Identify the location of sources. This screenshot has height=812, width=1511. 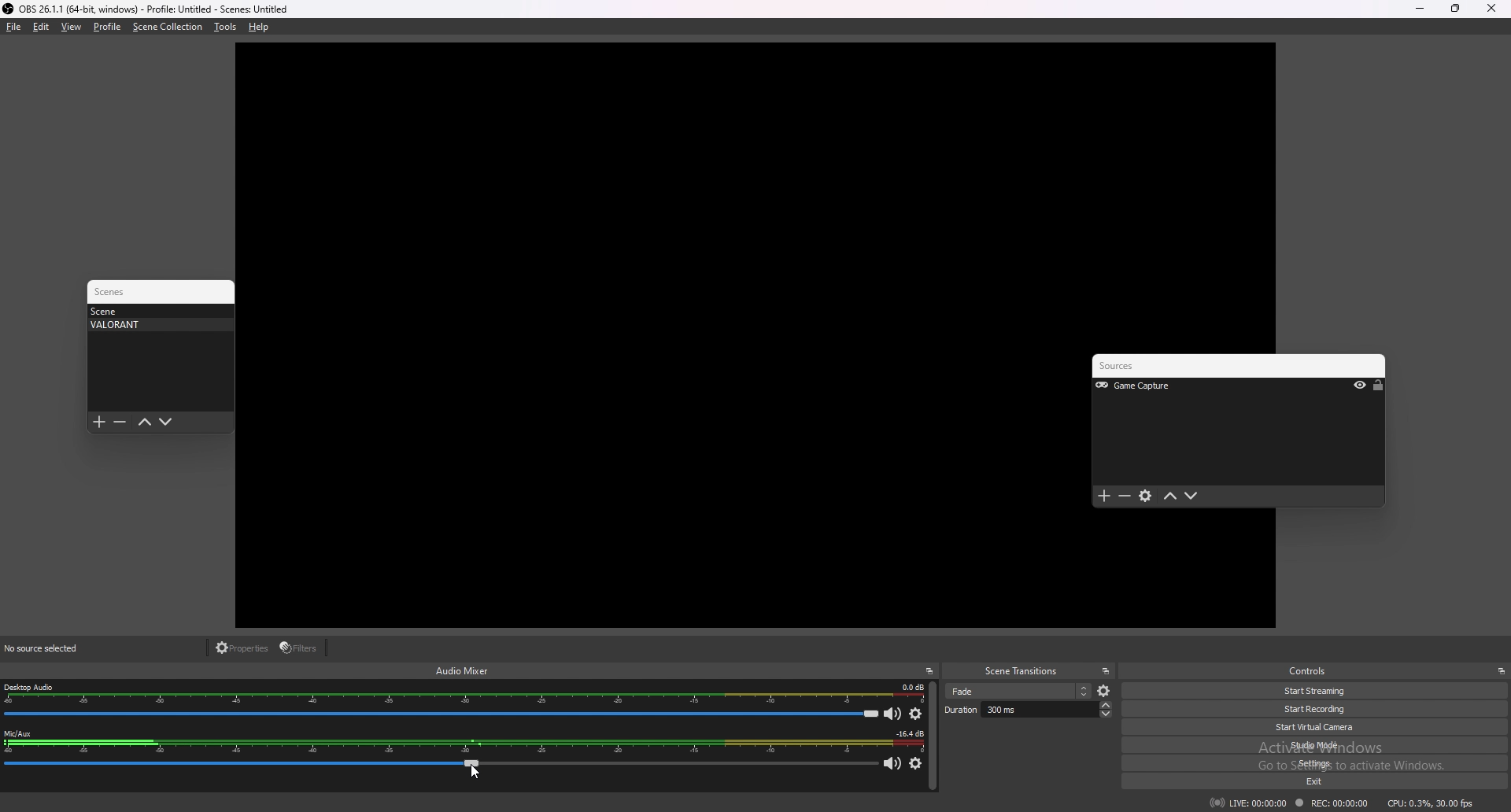
(1136, 367).